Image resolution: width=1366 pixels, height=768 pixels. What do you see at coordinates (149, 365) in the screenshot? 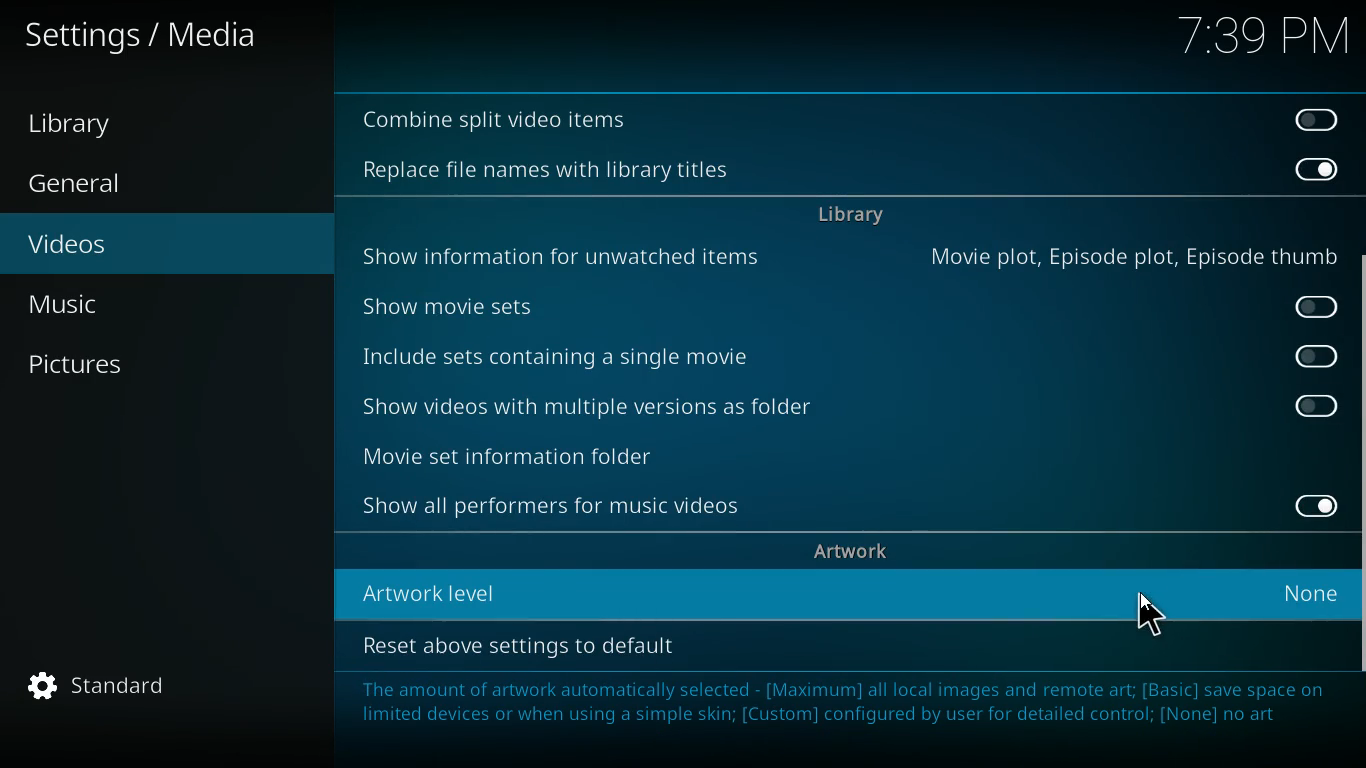
I see `pictures` at bounding box center [149, 365].